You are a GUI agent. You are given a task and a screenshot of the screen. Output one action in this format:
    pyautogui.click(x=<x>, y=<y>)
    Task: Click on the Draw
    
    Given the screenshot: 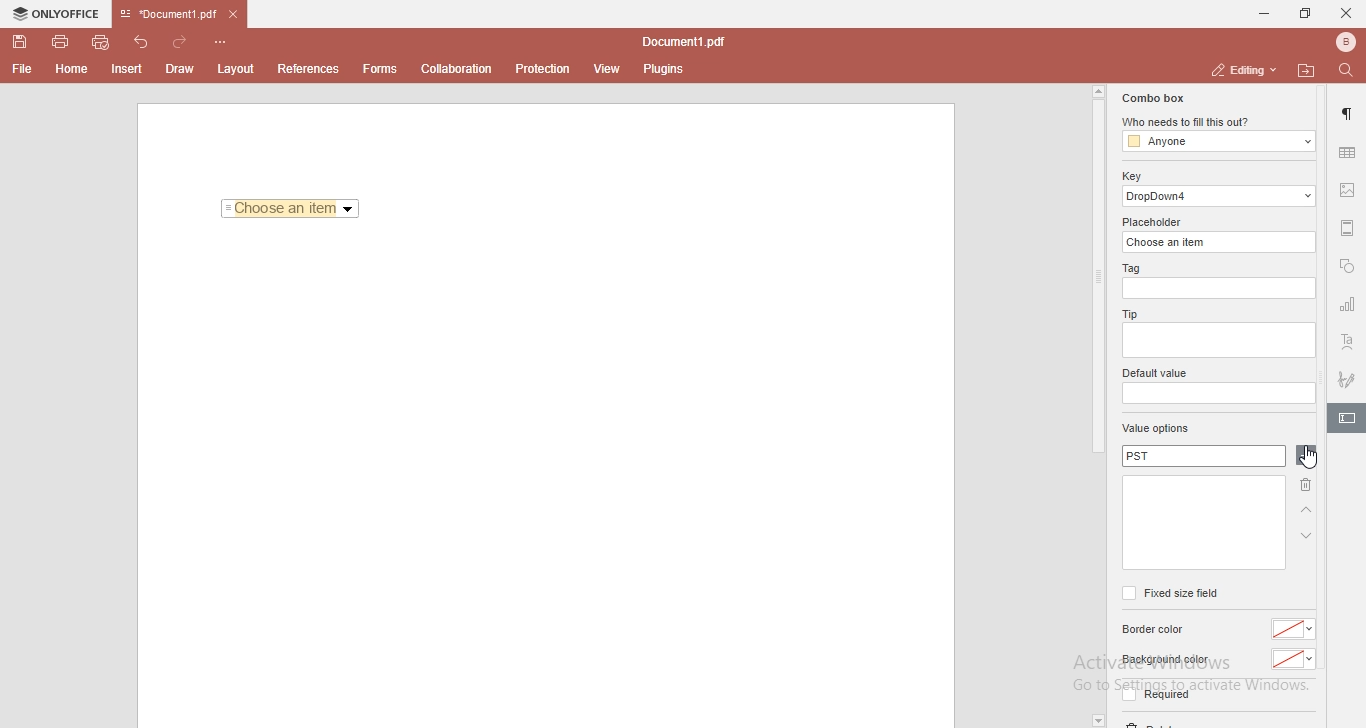 What is the action you would take?
    pyautogui.click(x=184, y=68)
    